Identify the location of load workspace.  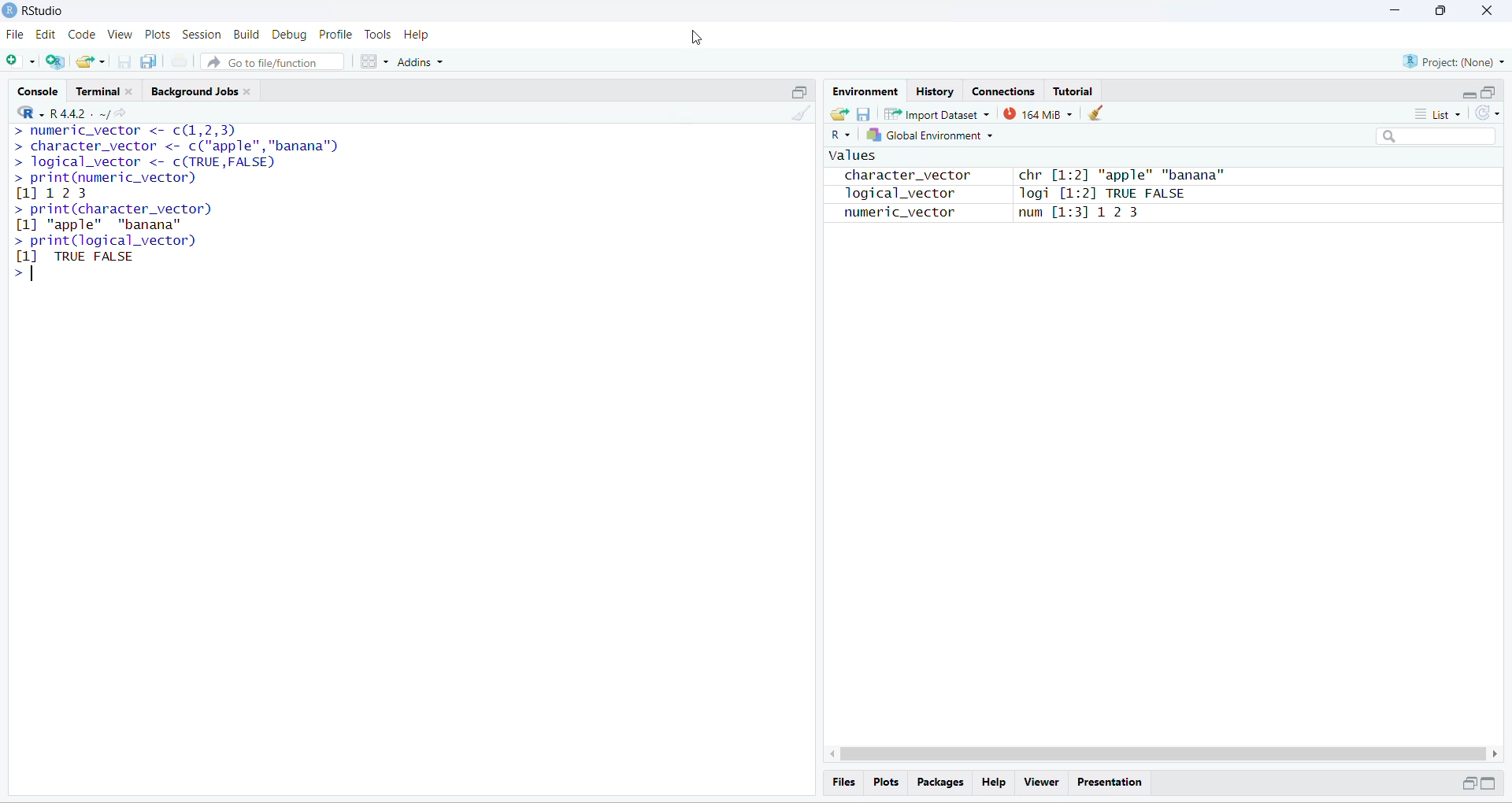
(838, 113).